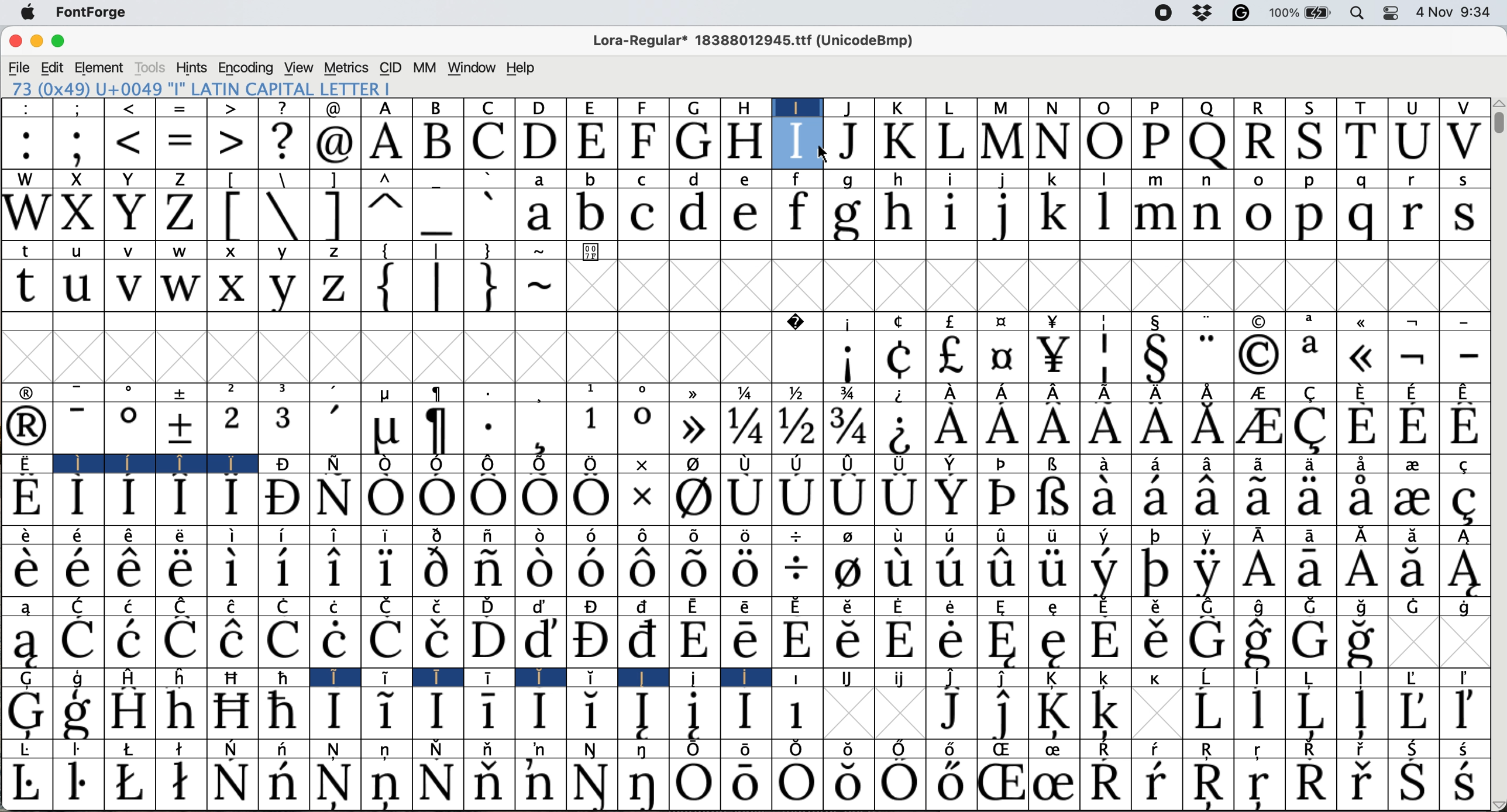 This screenshot has height=812, width=1507. Describe the element at coordinates (951, 465) in the screenshot. I see `symbol` at that location.